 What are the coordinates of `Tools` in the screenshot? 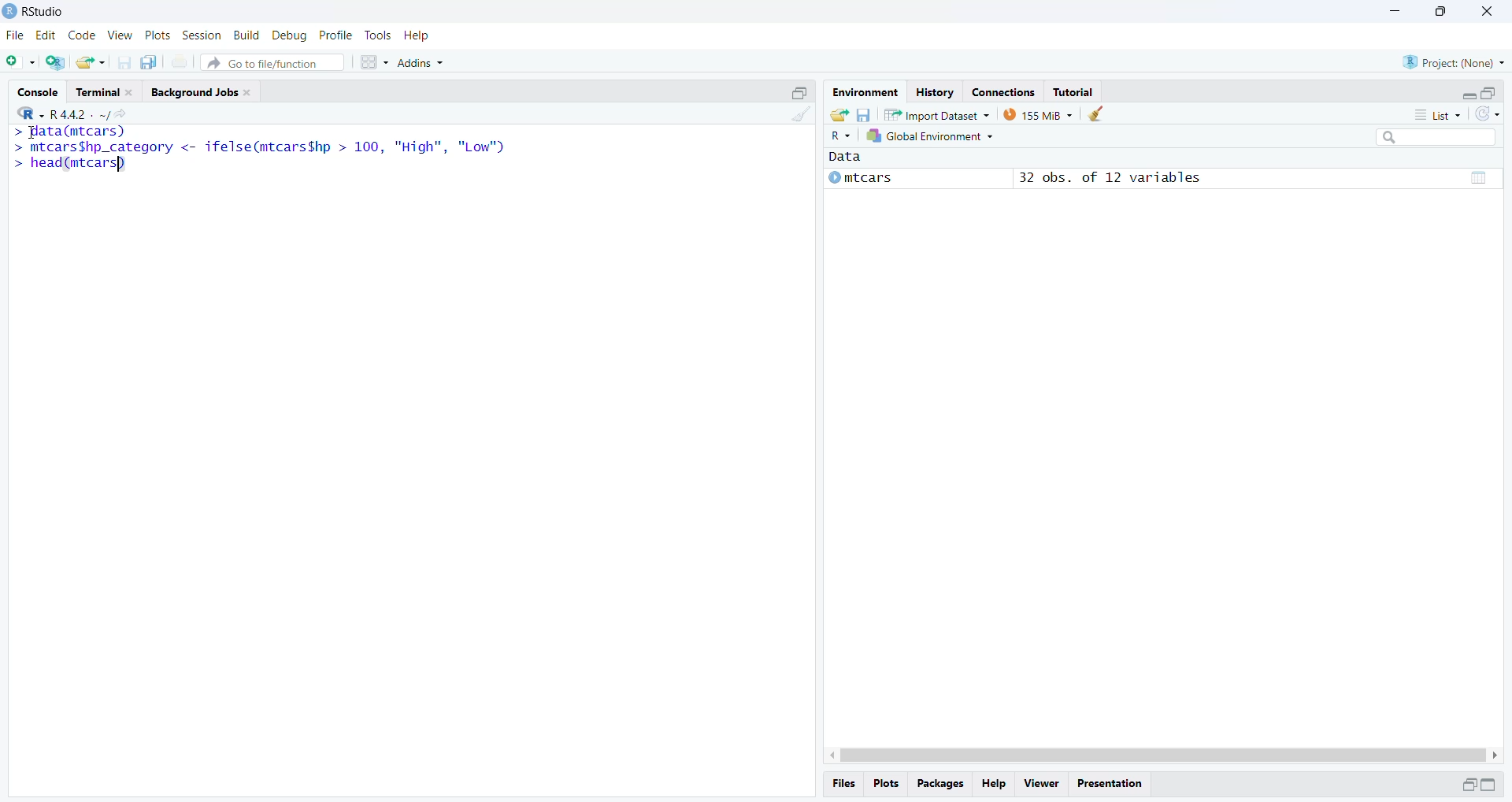 It's located at (378, 35).